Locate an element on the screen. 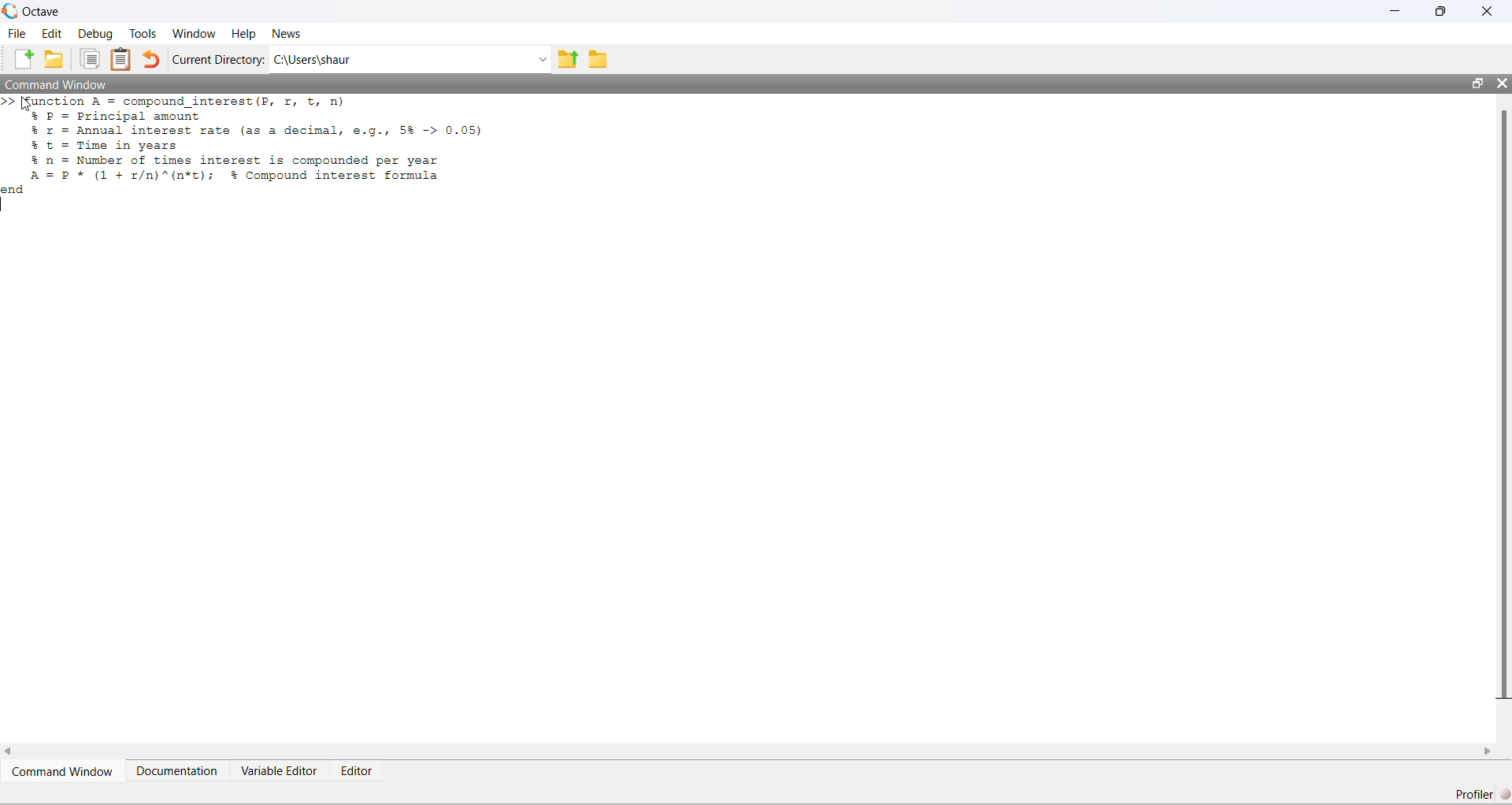 The width and height of the screenshot is (1512, 805). Edit is located at coordinates (51, 33).